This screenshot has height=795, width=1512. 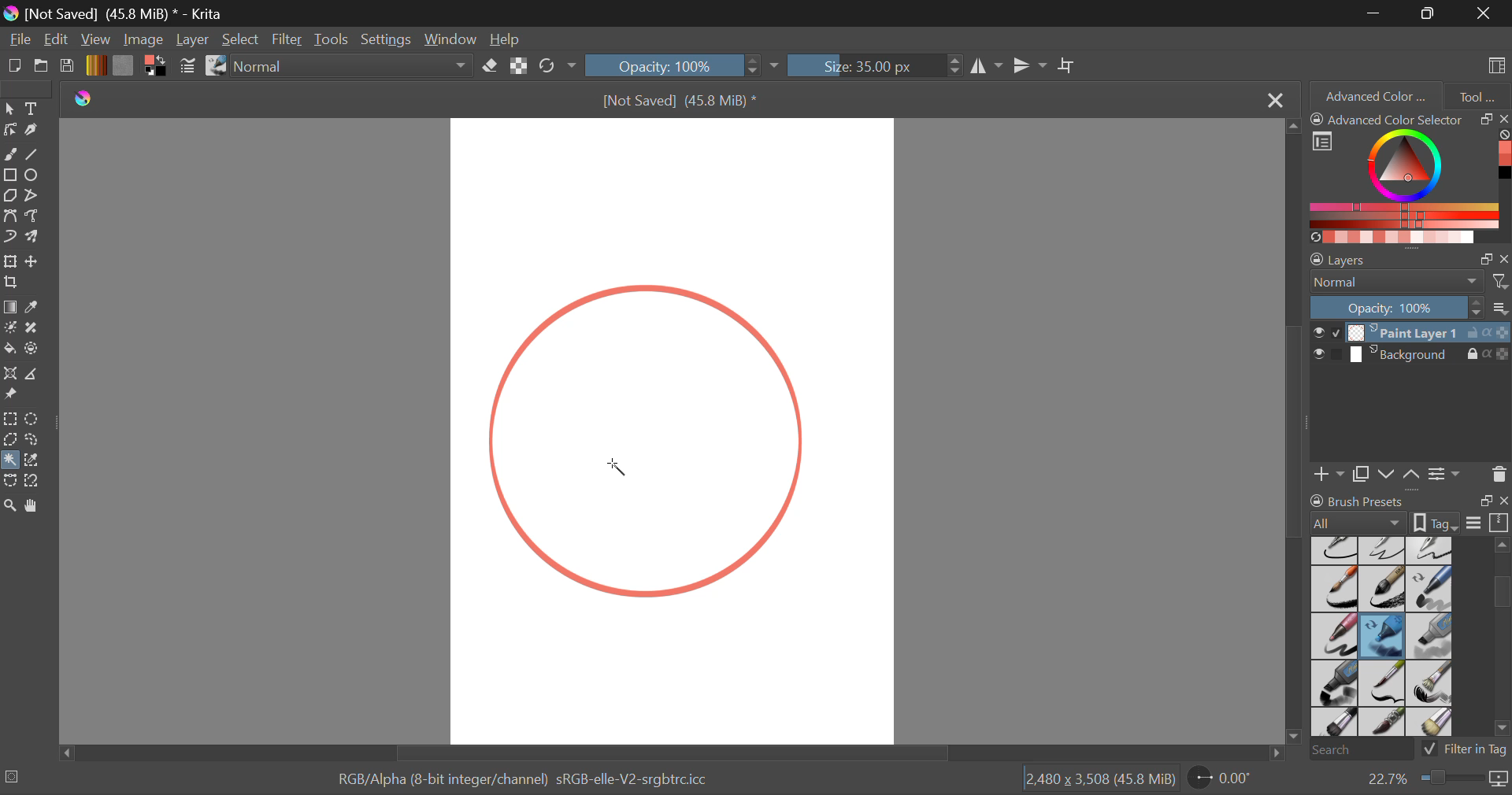 I want to click on Text, so click(x=34, y=108).